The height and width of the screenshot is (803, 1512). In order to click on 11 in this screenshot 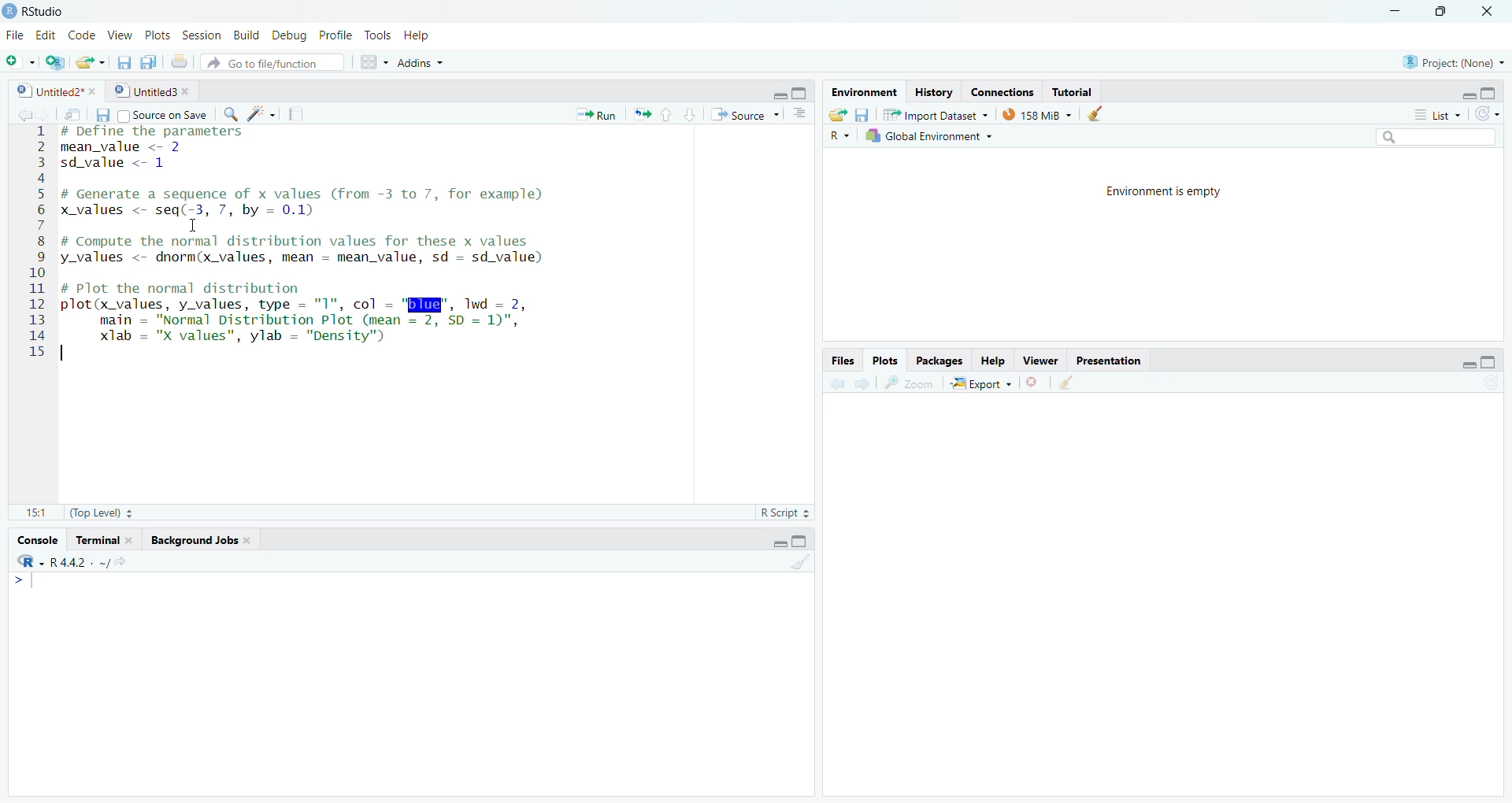, I will do `click(30, 509)`.